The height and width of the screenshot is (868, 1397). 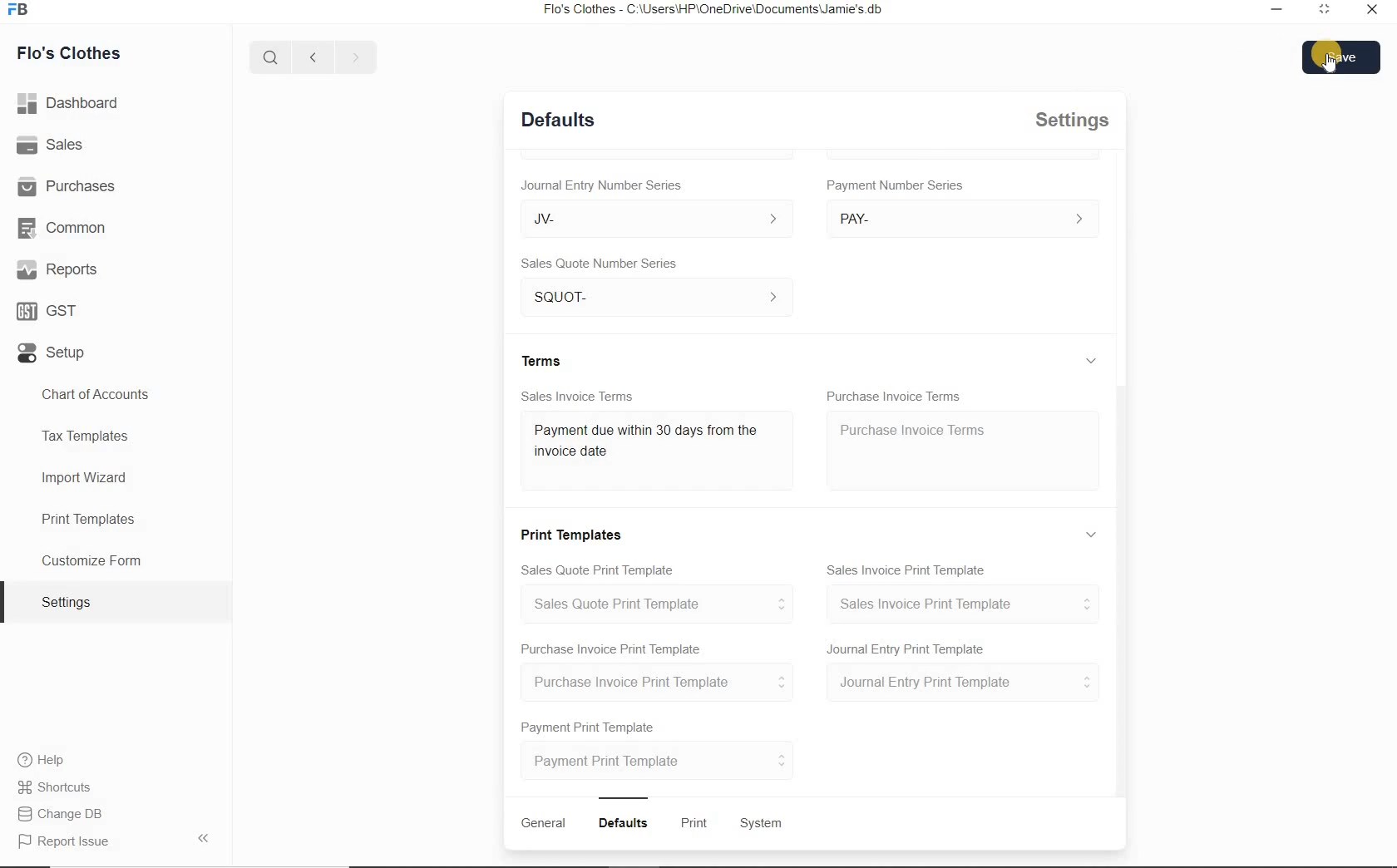 I want to click on Dashboard, so click(x=69, y=103).